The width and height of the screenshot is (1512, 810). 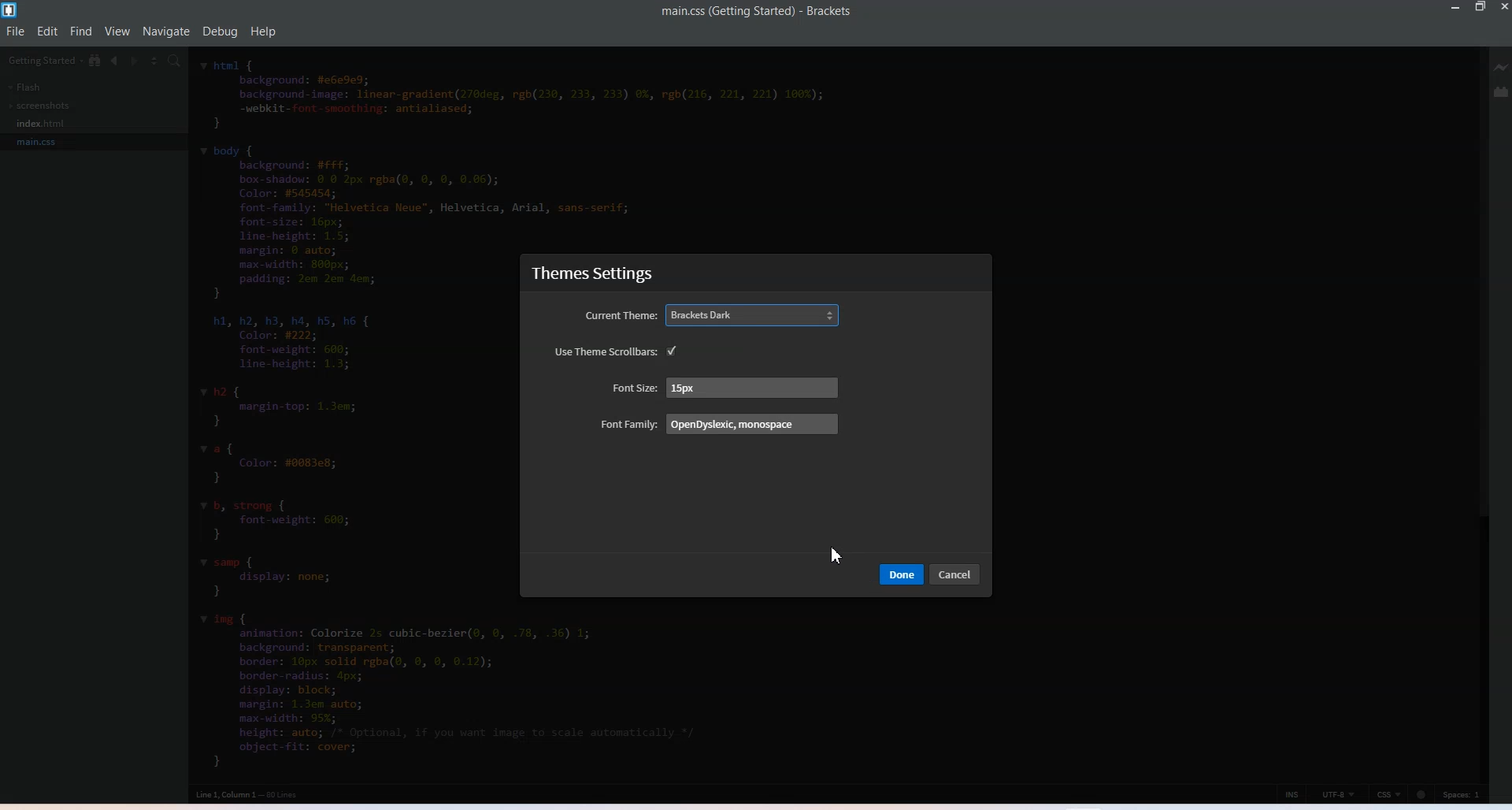 I want to click on Help, so click(x=263, y=31).